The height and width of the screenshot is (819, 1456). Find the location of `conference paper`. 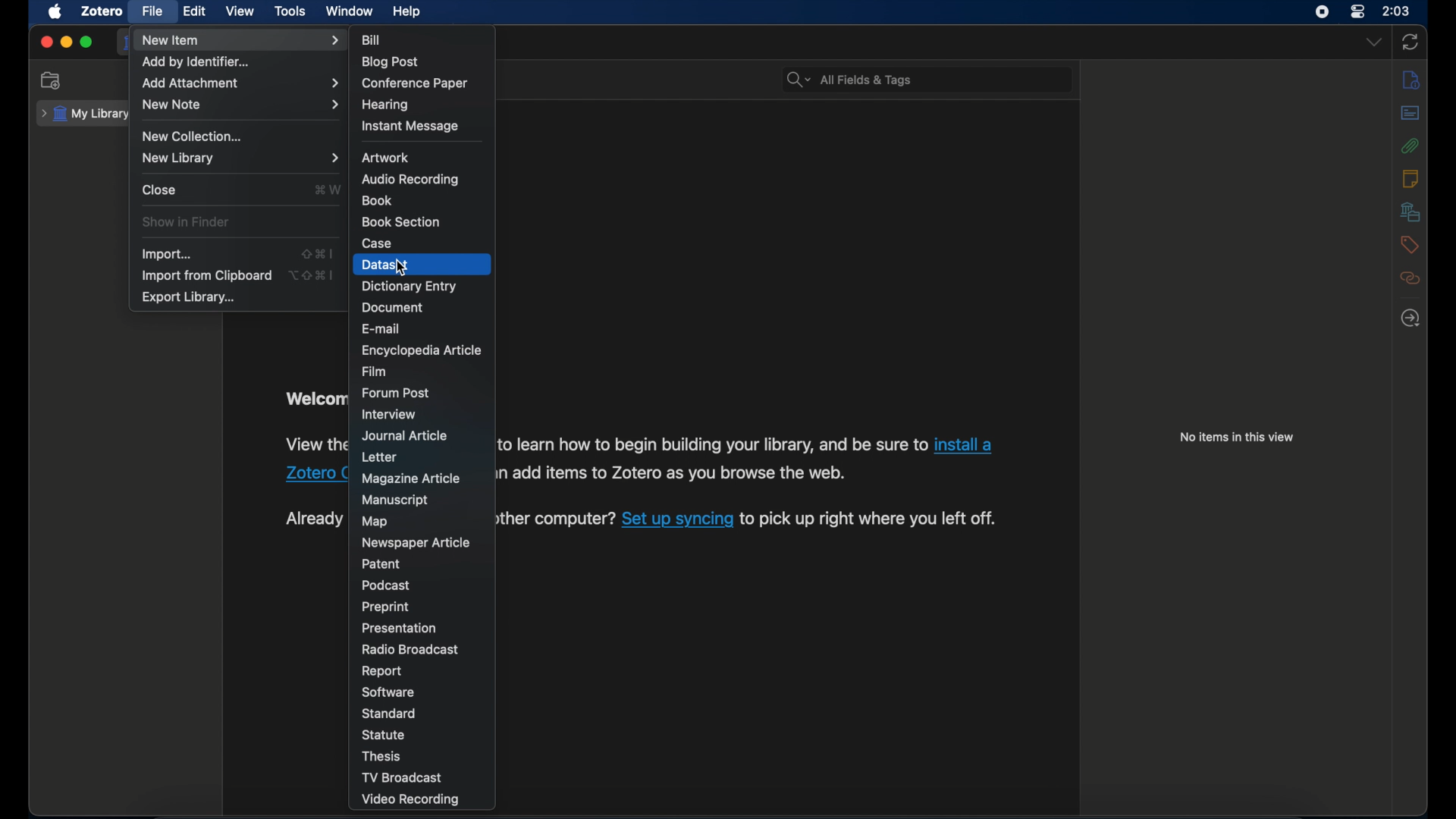

conference paper is located at coordinates (416, 84).